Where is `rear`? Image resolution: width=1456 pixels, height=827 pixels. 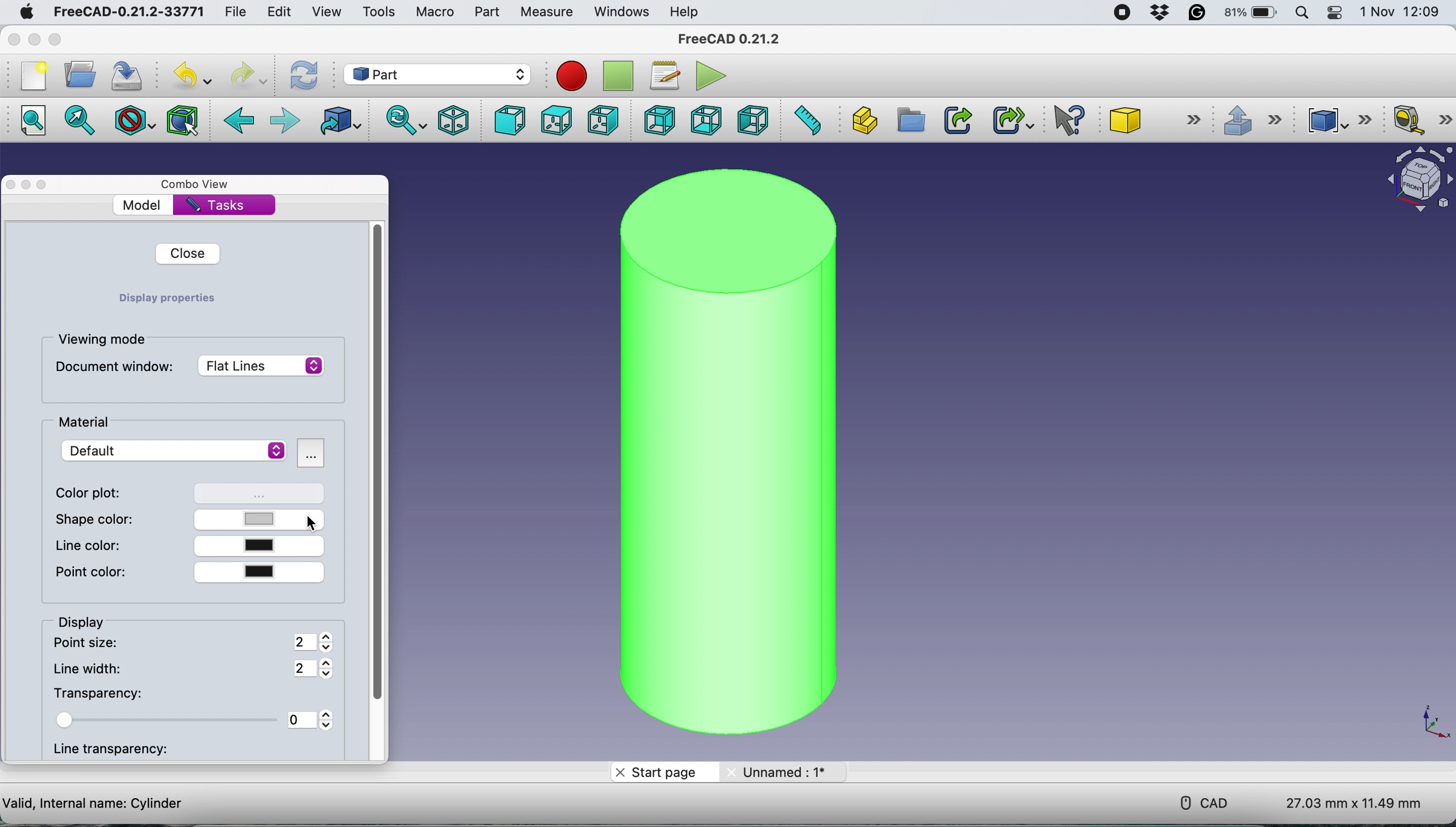
rear is located at coordinates (656, 122).